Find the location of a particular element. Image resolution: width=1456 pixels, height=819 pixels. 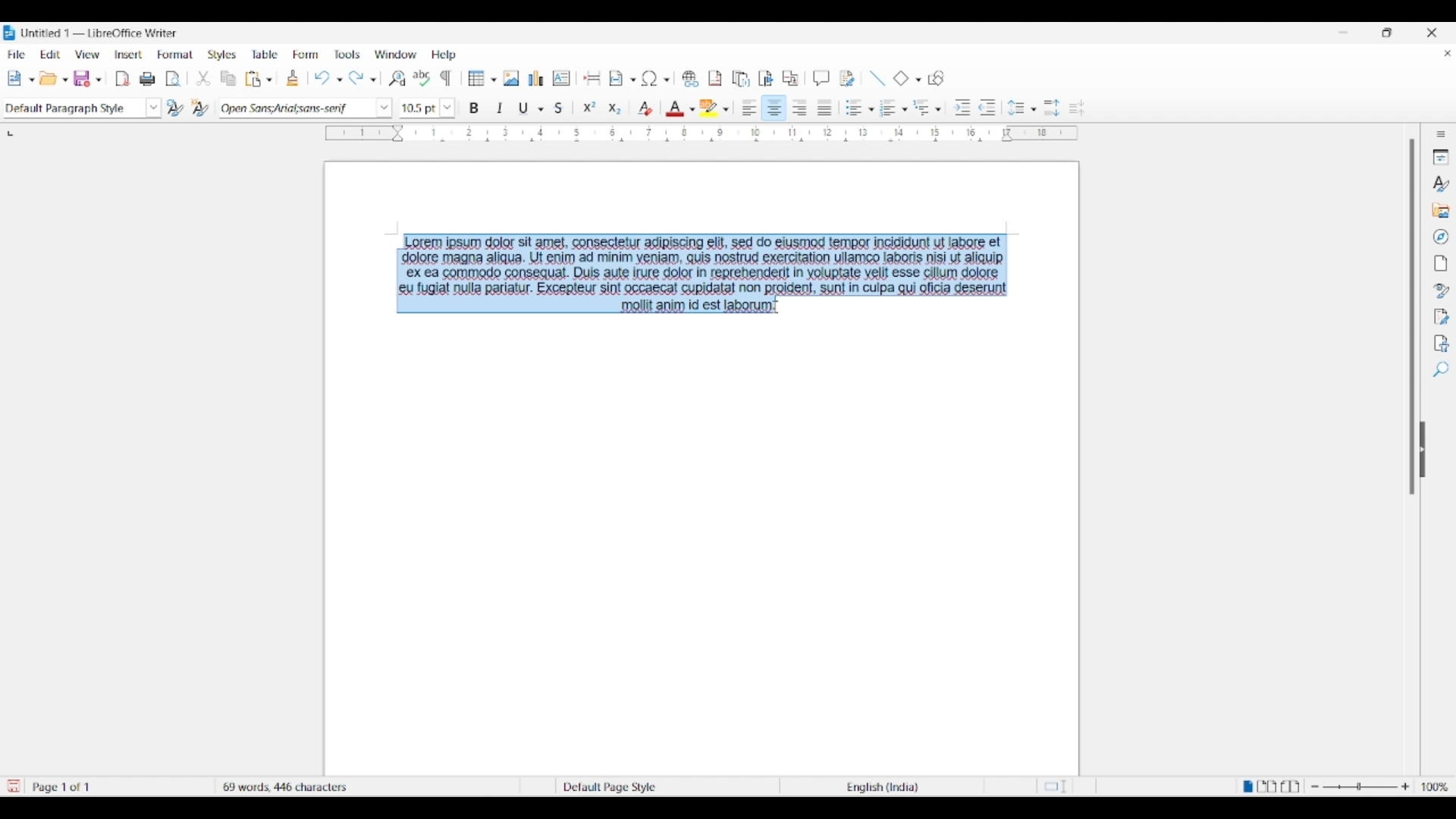

Insert text box is located at coordinates (562, 78).